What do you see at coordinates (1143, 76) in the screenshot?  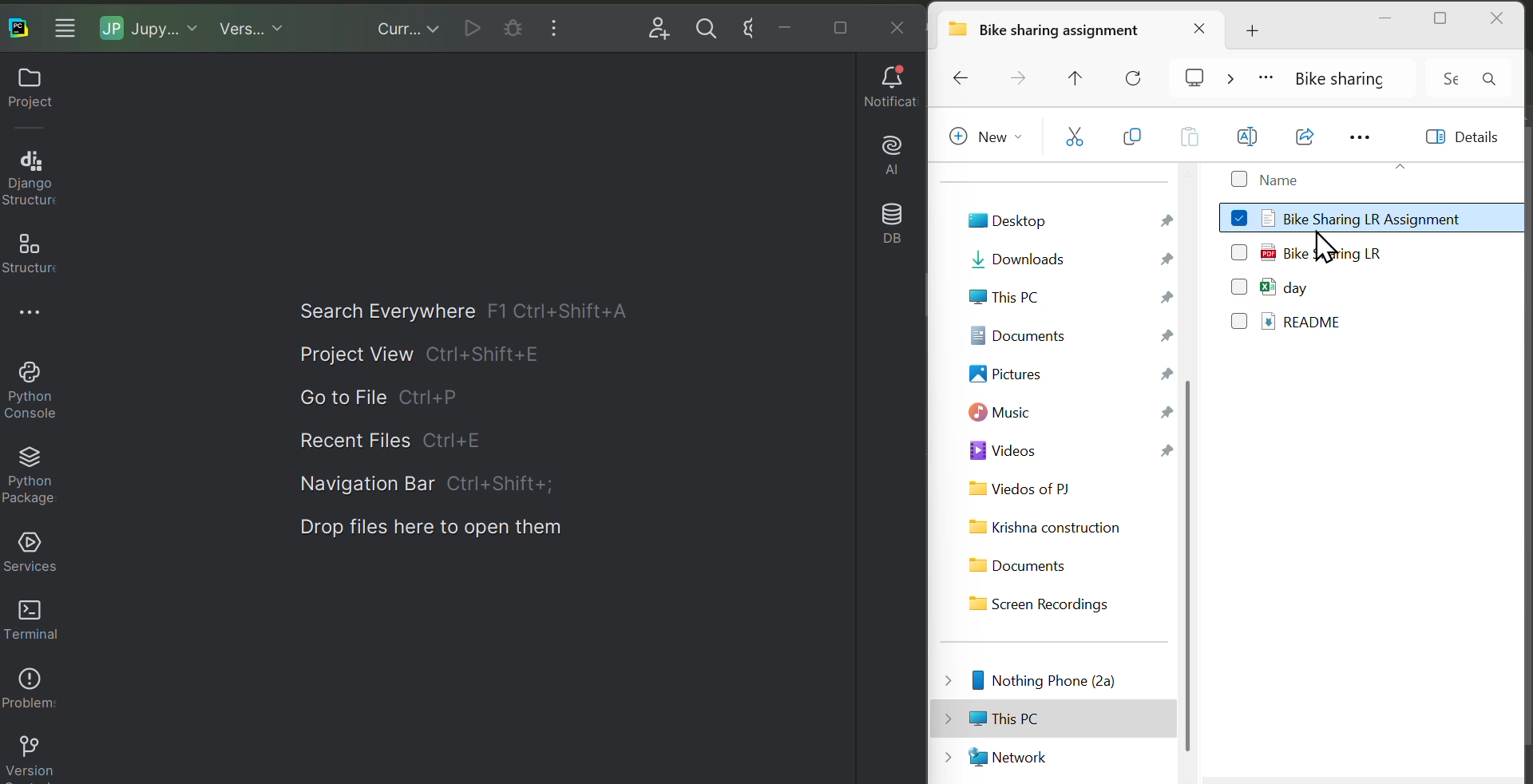 I see `Reload` at bounding box center [1143, 76].